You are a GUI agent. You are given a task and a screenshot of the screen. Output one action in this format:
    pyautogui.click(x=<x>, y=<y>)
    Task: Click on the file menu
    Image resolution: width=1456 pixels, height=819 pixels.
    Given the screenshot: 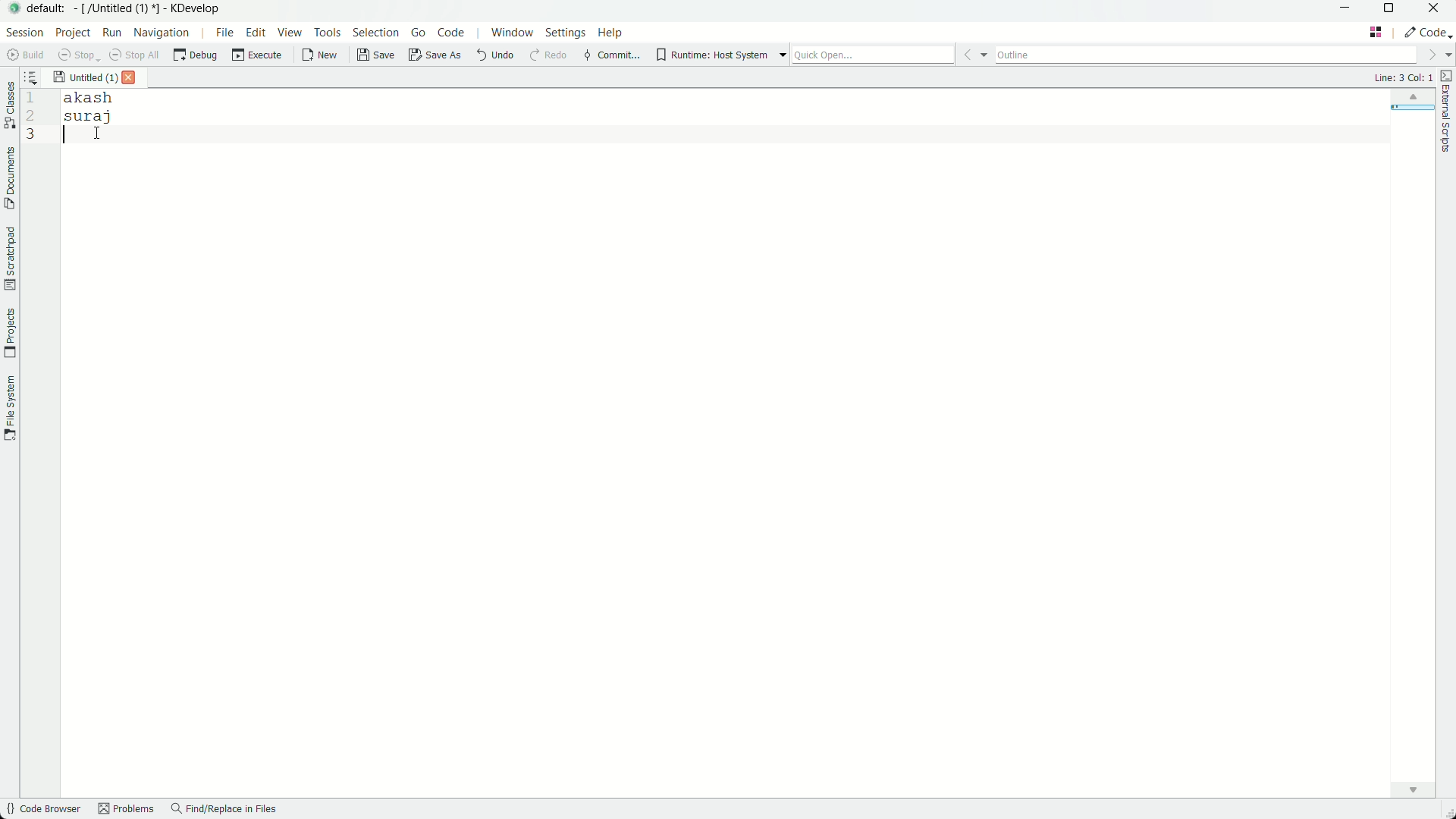 What is the action you would take?
    pyautogui.click(x=224, y=33)
    